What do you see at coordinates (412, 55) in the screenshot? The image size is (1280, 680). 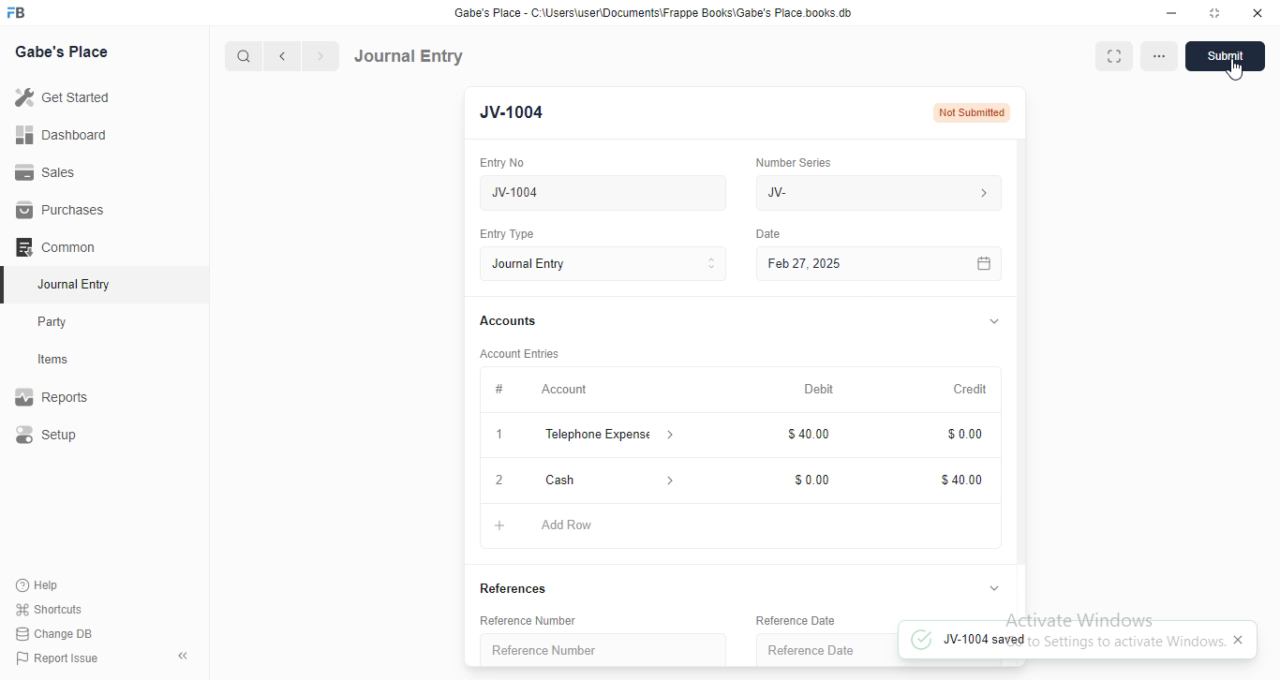 I see `Journal Entry` at bounding box center [412, 55].